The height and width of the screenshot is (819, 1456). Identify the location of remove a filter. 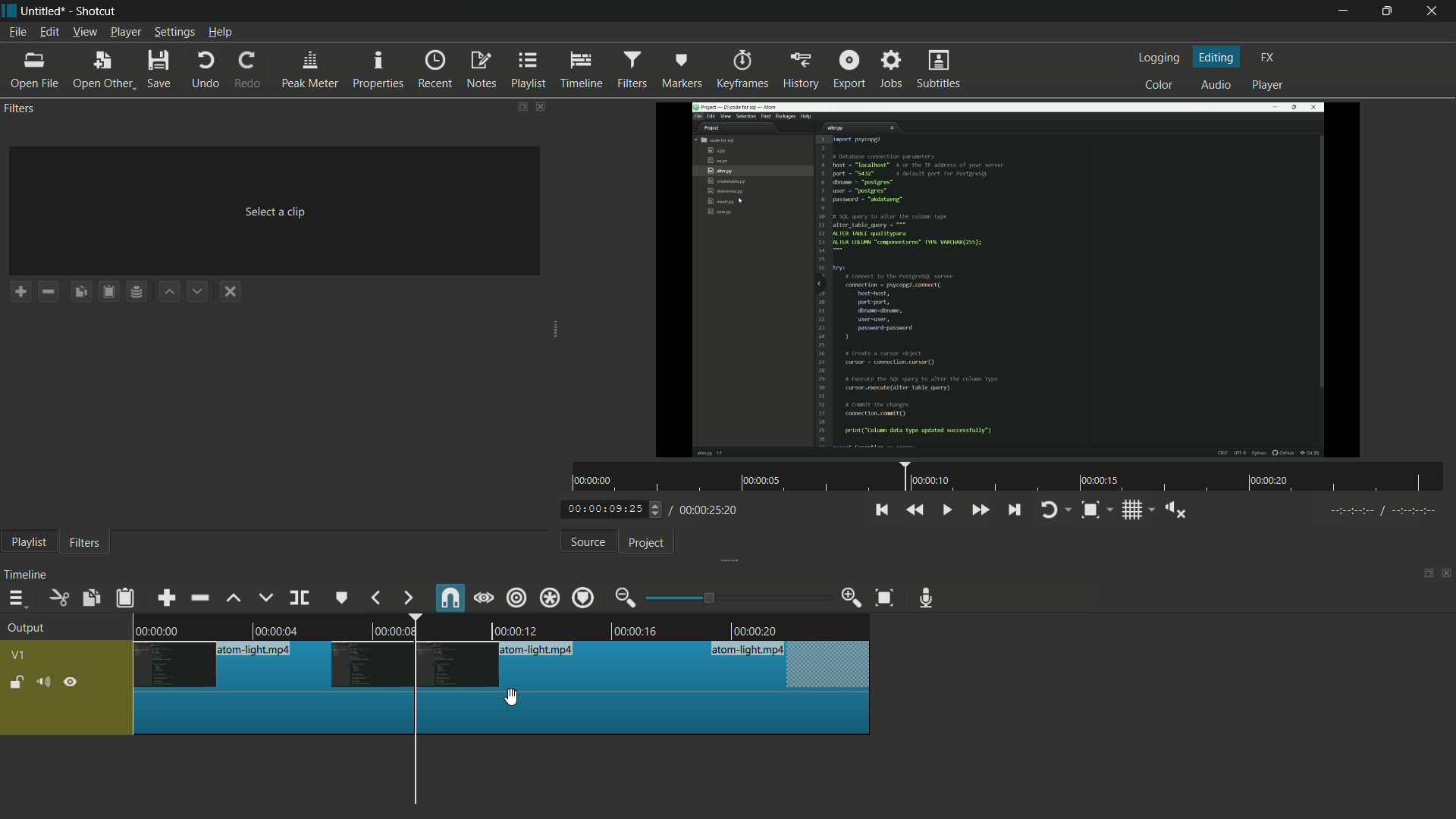
(52, 290).